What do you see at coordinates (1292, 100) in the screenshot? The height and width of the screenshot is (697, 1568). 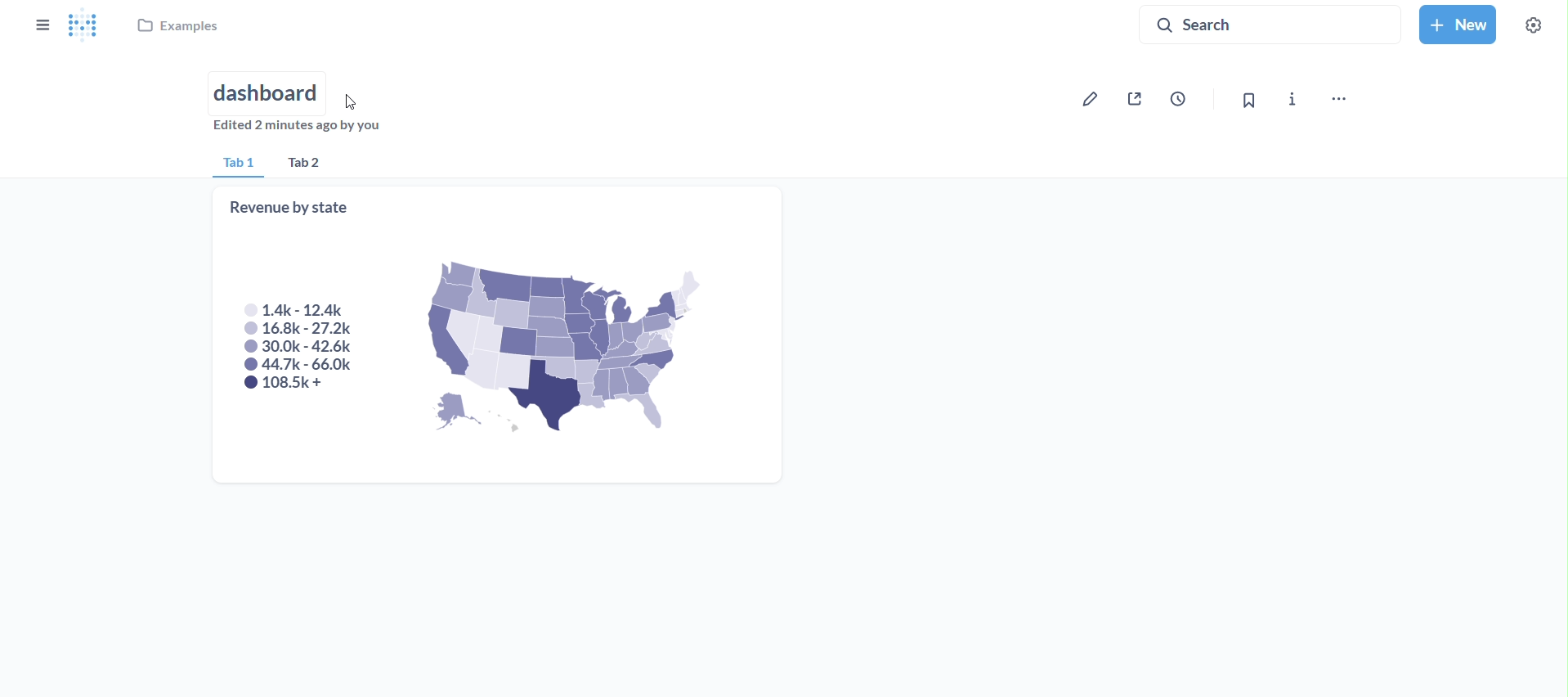 I see `more info` at bounding box center [1292, 100].